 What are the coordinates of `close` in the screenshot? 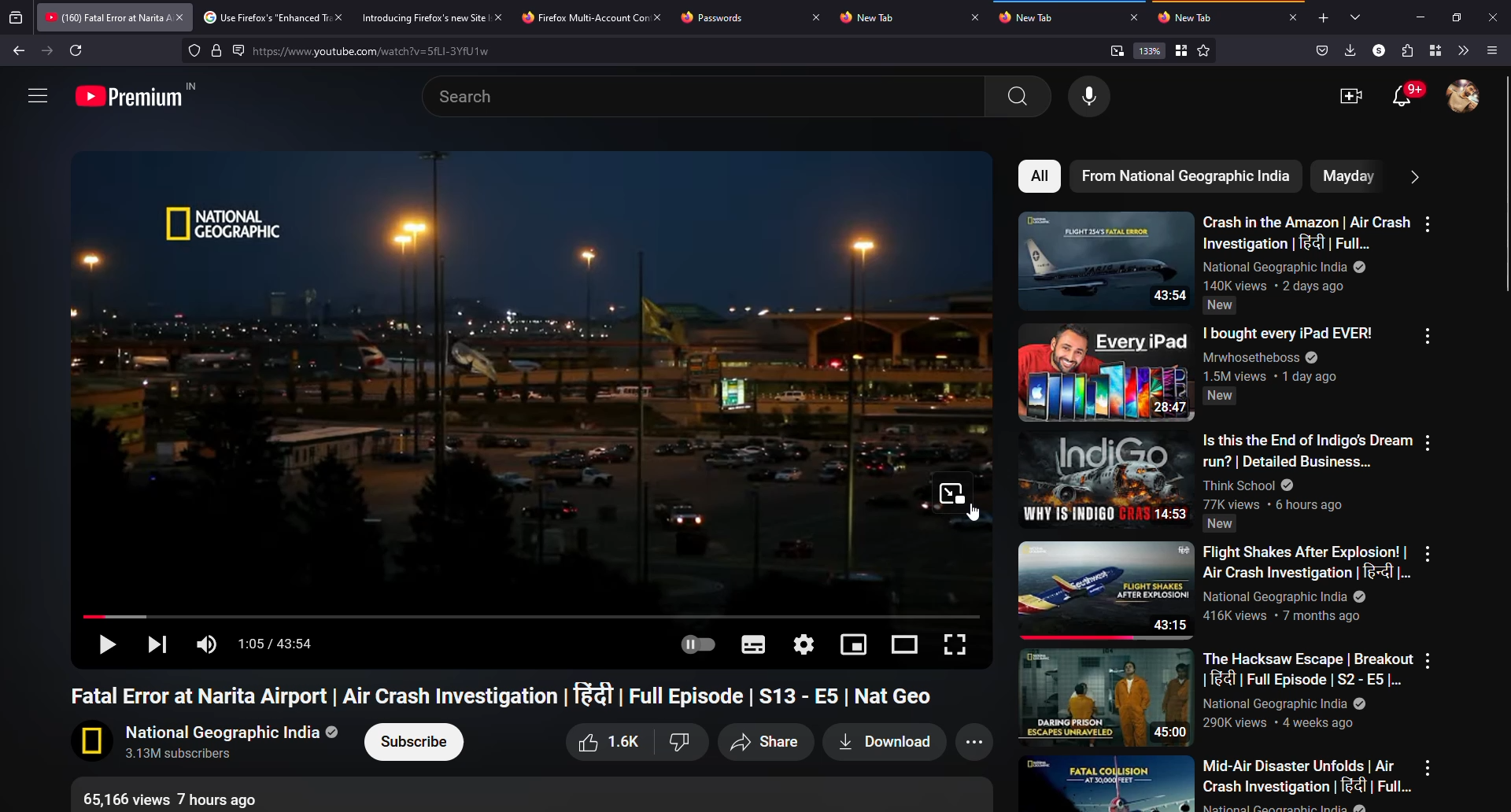 It's located at (499, 17).